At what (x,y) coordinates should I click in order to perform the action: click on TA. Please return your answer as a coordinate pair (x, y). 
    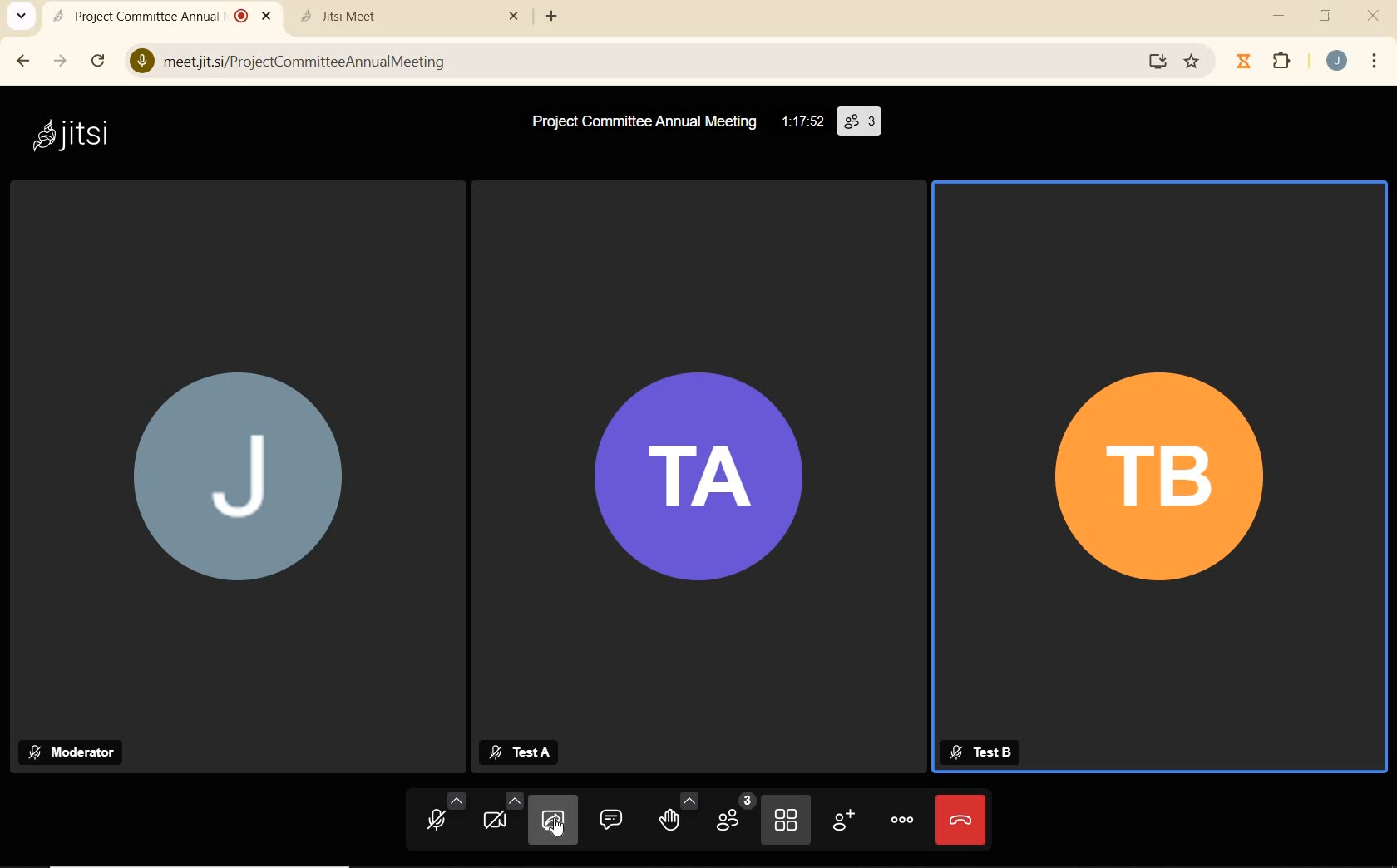
    Looking at the image, I should click on (698, 477).